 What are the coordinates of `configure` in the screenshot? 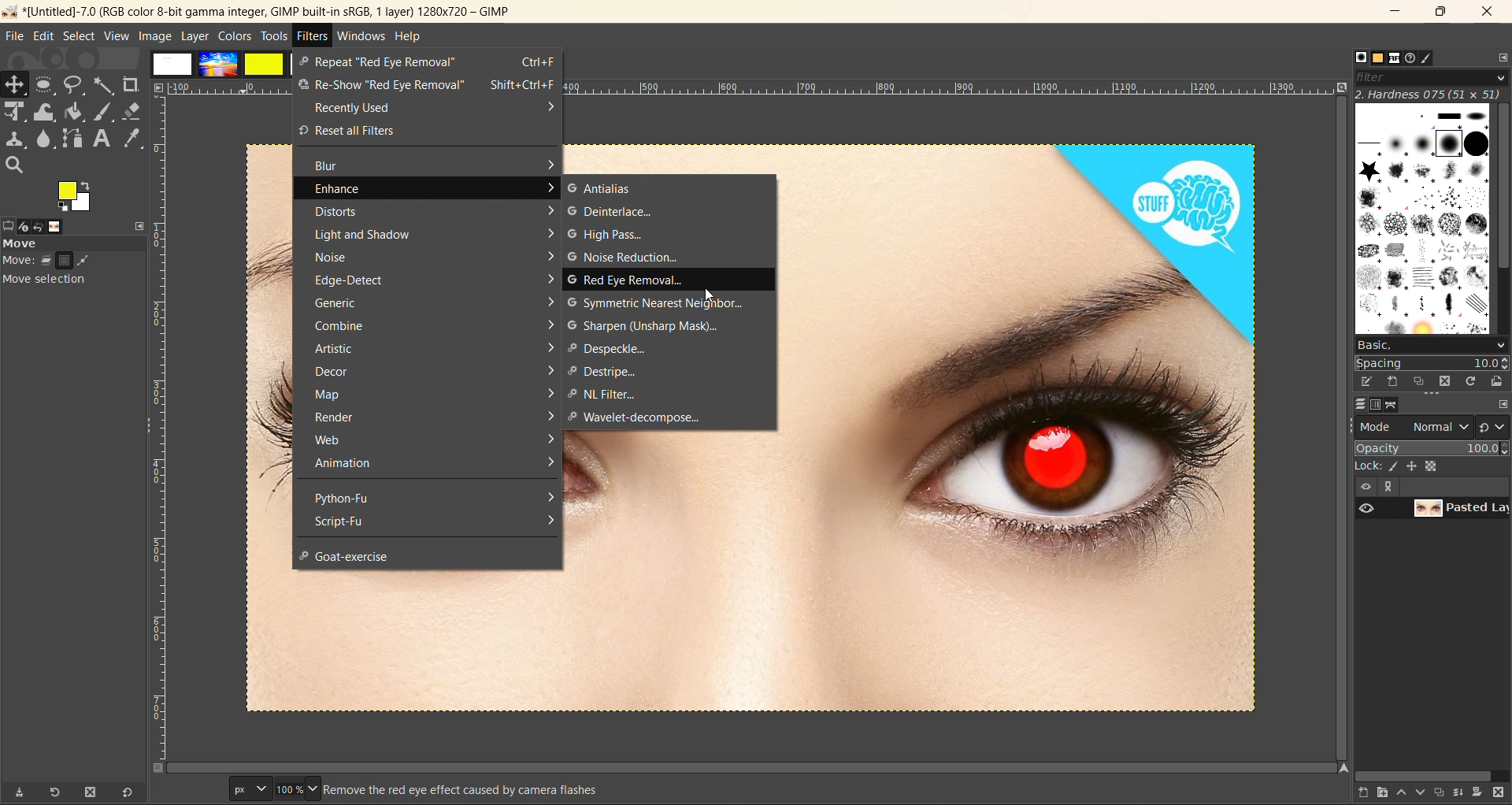 It's located at (139, 226).